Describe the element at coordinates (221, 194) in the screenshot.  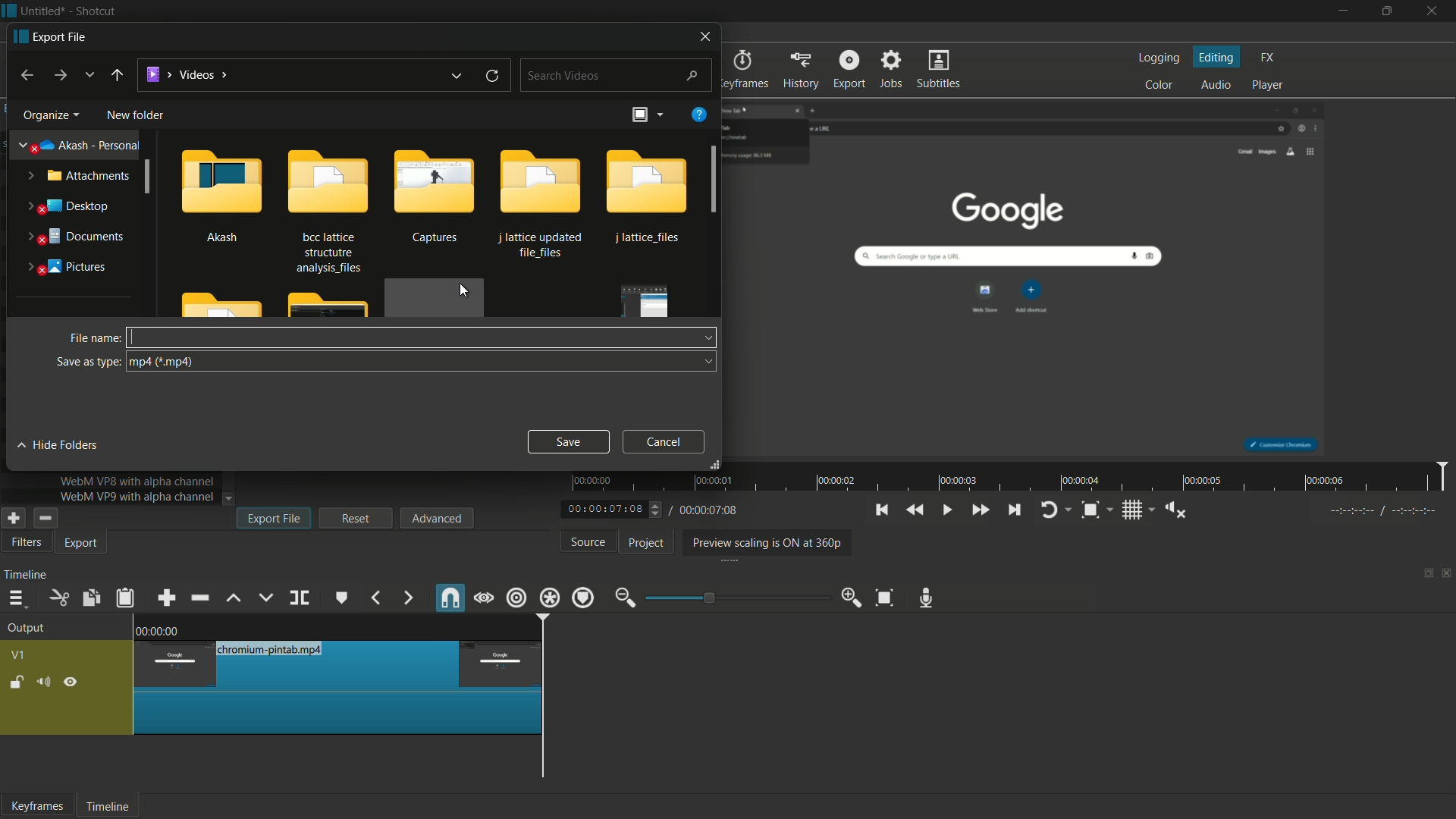
I see `folder-1` at that location.